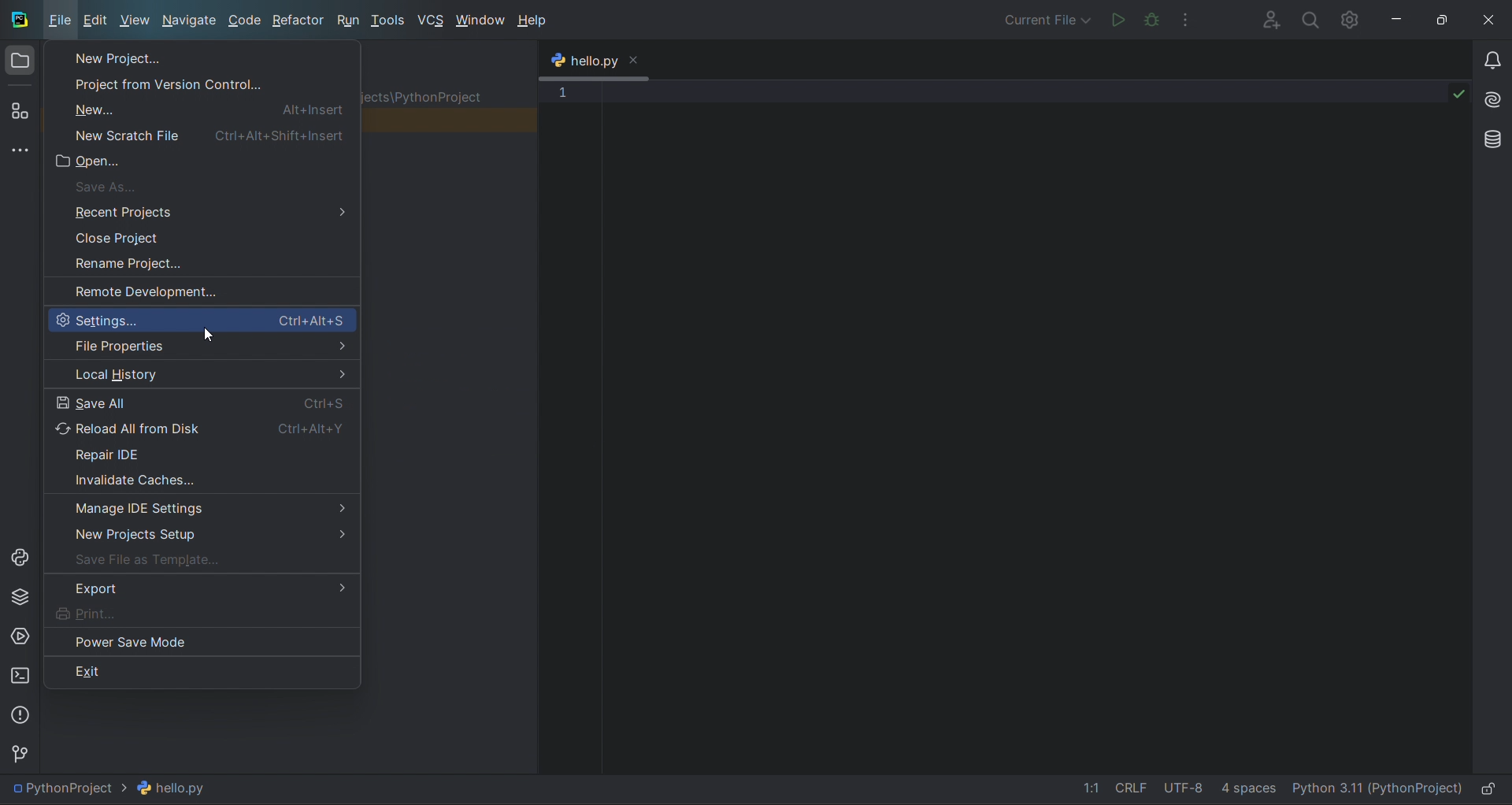 The width and height of the screenshot is (1512, 805). Describe the element at coordinates (202, 289) in the screenshot. I see `remote dev` at that location.